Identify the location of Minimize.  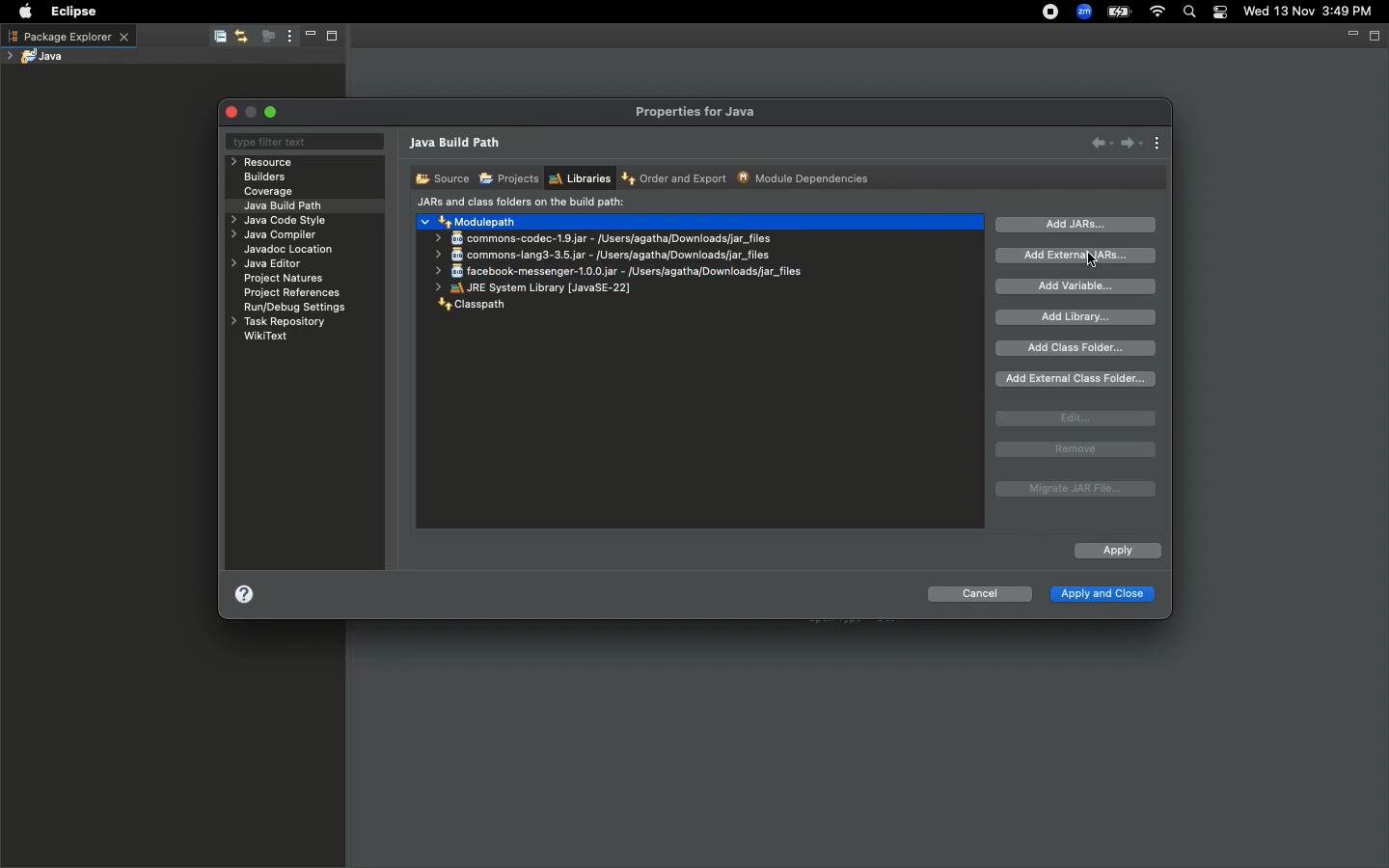
(1350, 38).